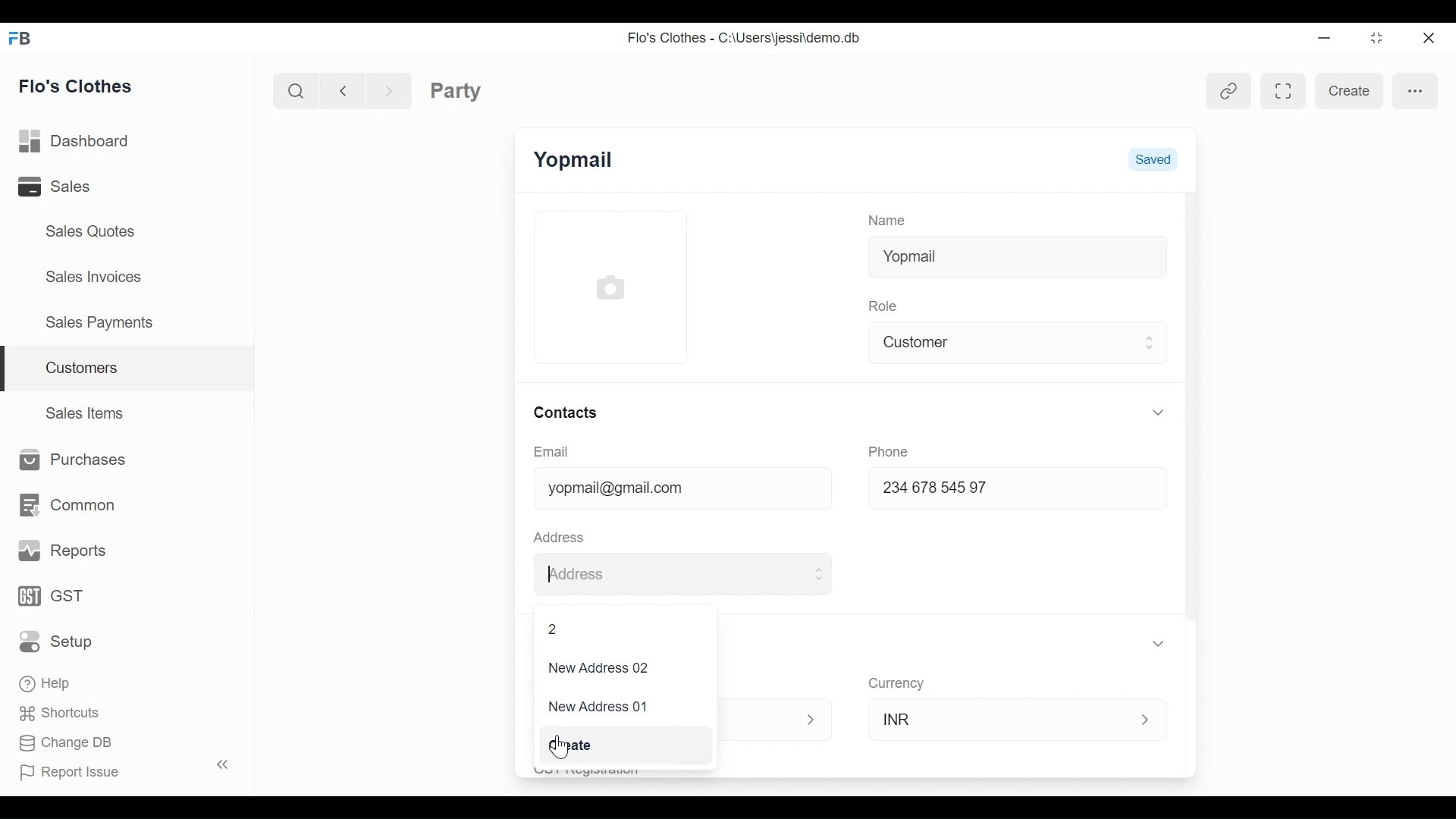 Image resolution: width=1456 pixels, height=819 pixels. Describe the element at coordinates (746, 39) in the screenshot. I see `Flo's Clothes - C:\Users\jessi\demo.db` at that location.